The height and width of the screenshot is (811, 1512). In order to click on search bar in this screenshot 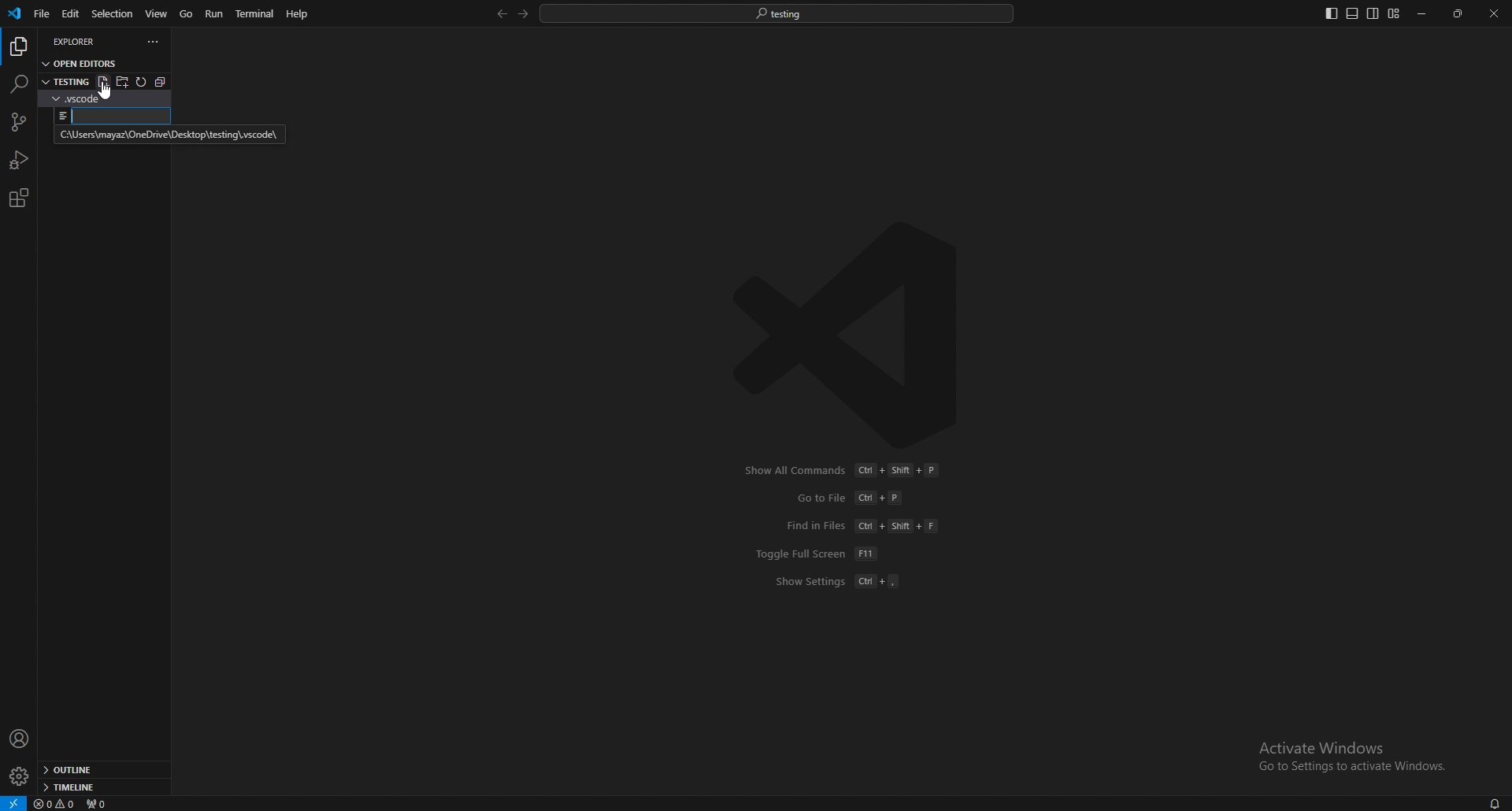, I will do `click(777, 13)`.